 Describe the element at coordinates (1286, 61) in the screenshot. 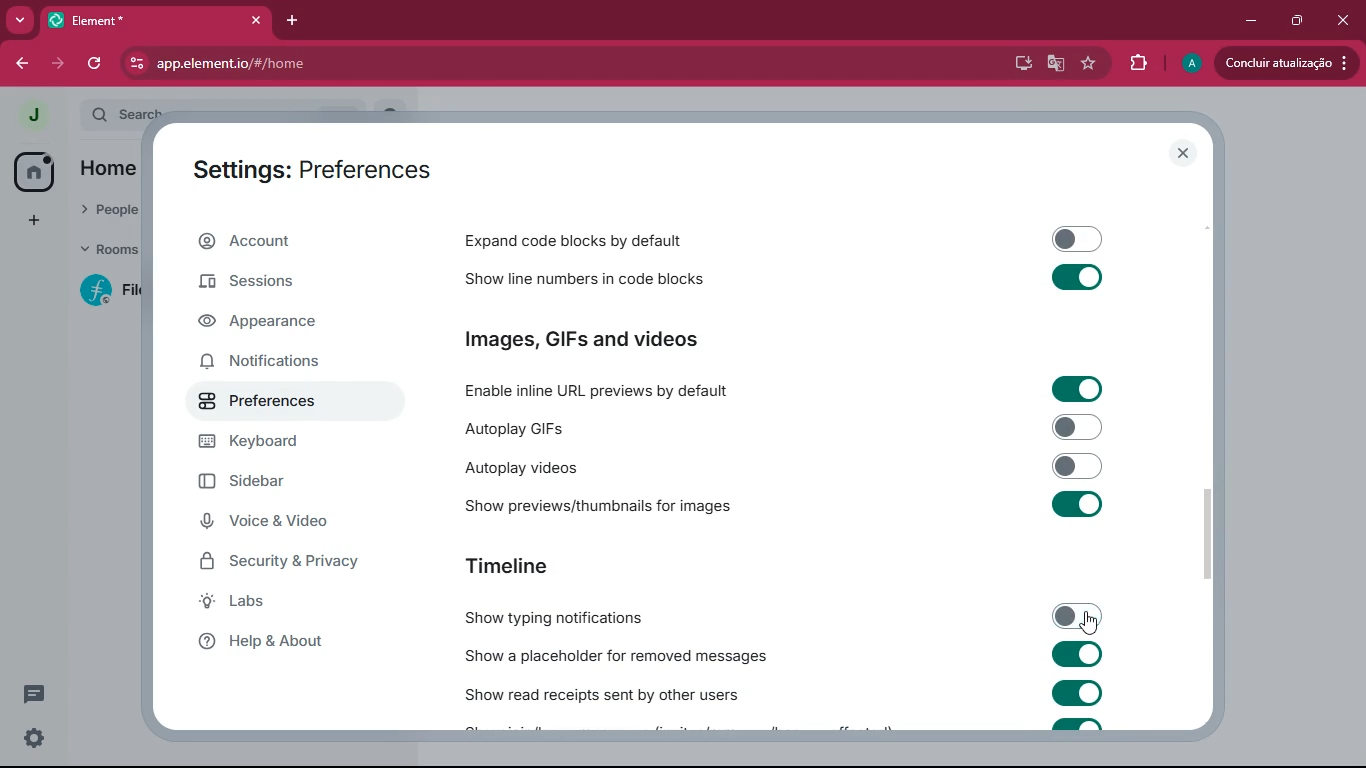

I see `update` at that location.